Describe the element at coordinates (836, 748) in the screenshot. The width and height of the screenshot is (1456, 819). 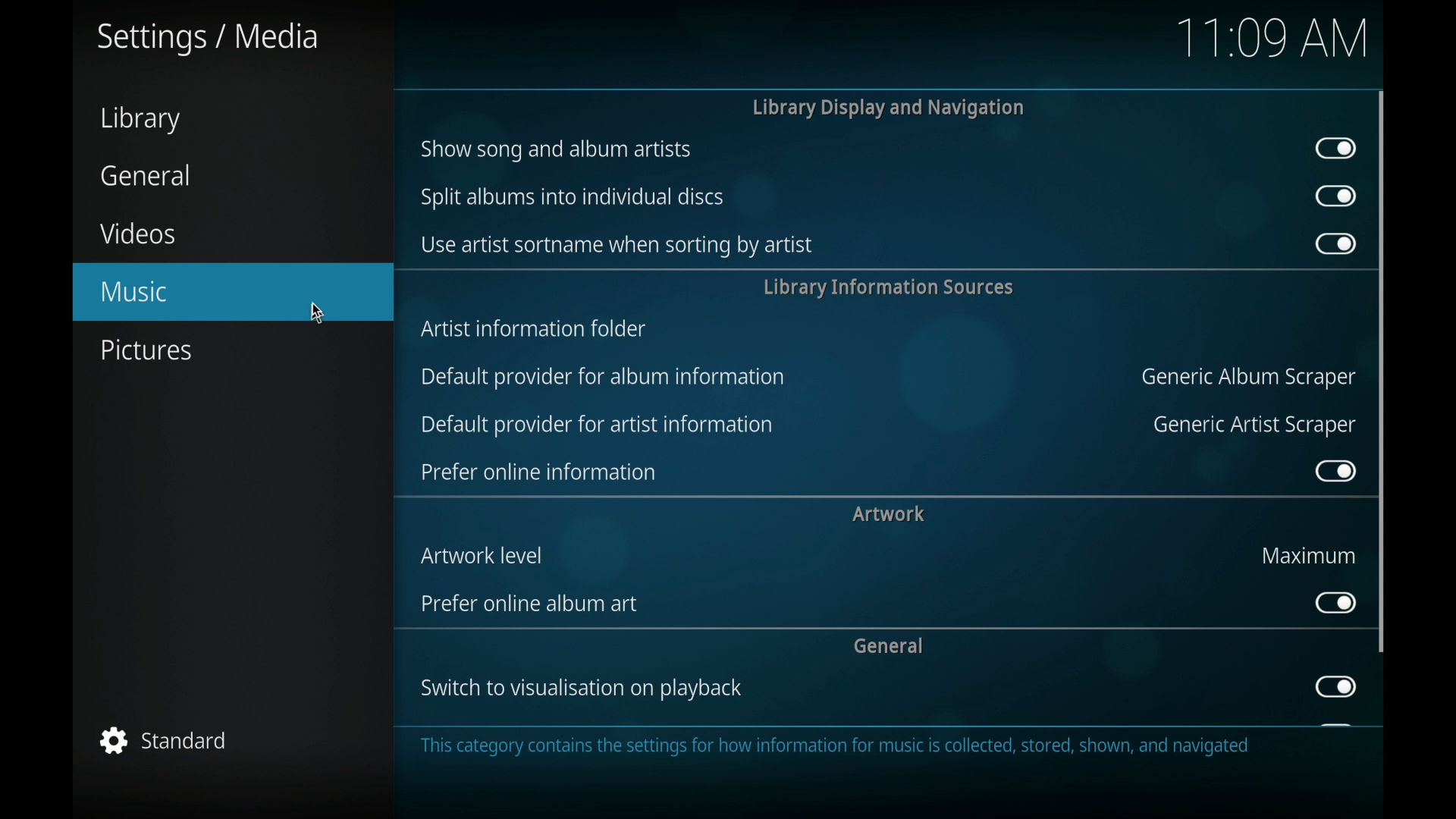
I see `This category contains the settings for how information for music is collected, stored, shown, and navigated` at that location.